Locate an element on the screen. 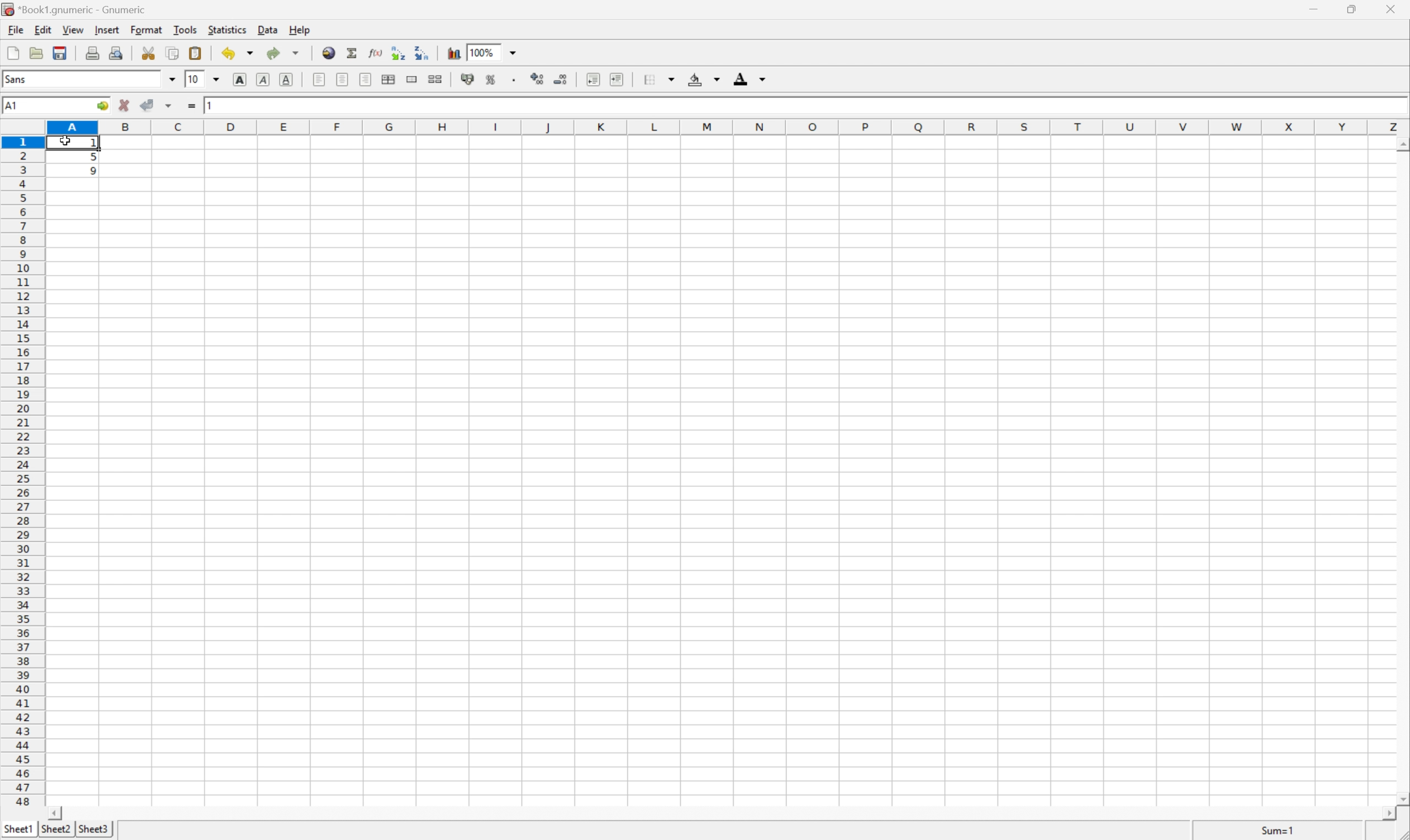 Image resolution: width=1410 pixels, height=840 pixels. decrease indent is located at coordinates (594, 79).